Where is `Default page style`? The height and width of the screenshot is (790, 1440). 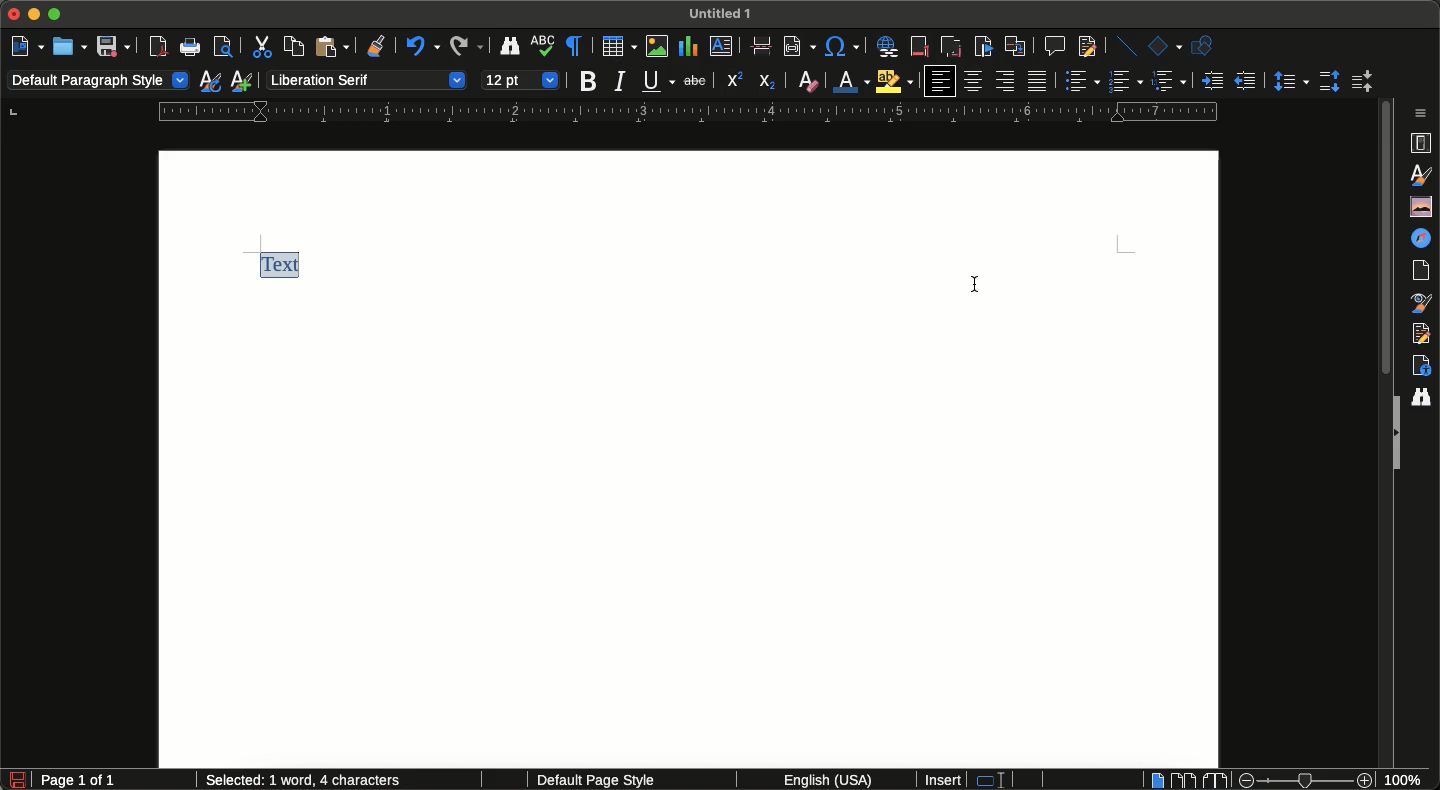 Default page style is located at coordinates (613, 781).